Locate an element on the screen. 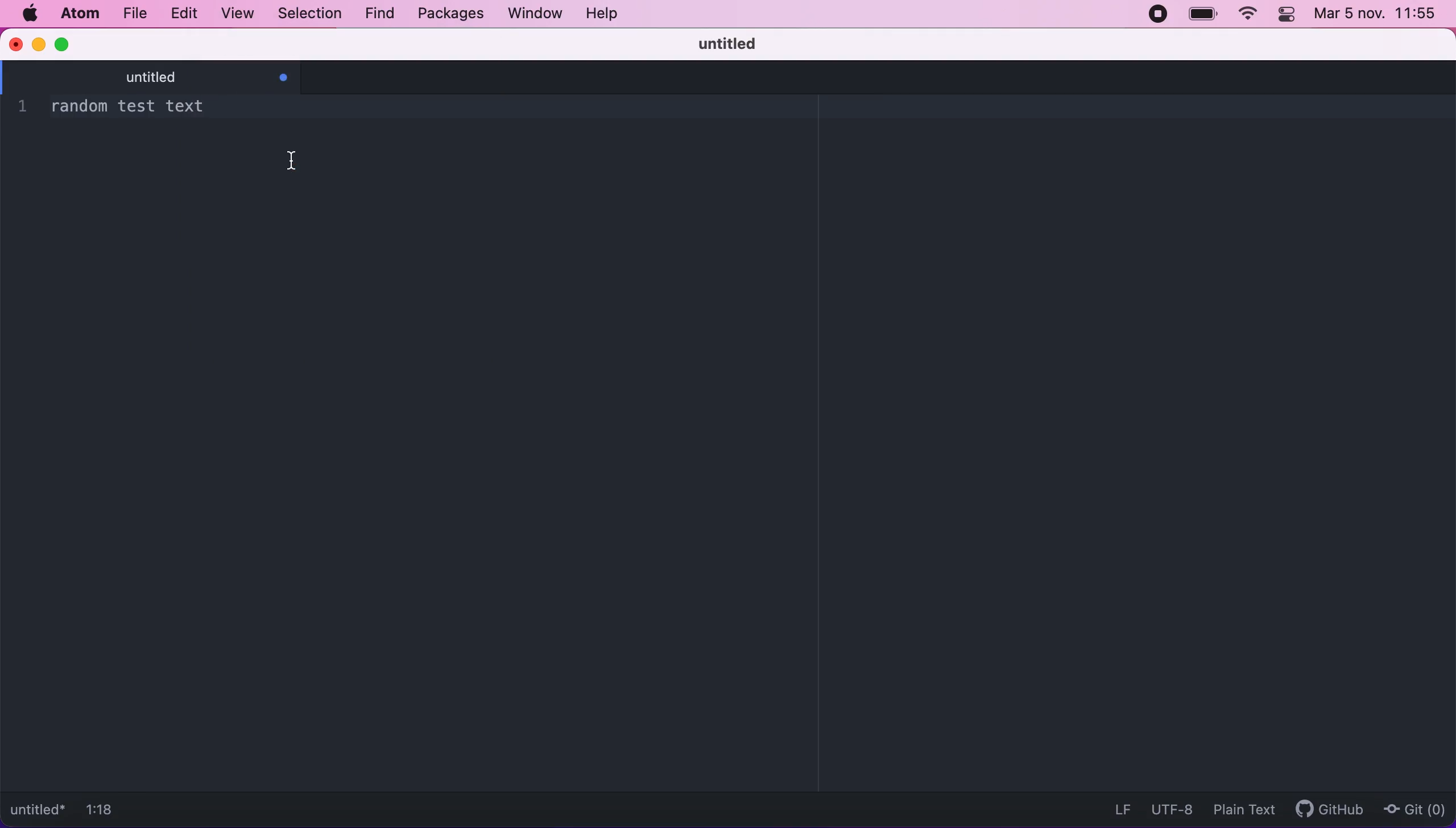 The height and width of the screenshot is (828, 1456). untitled* is located at coordinates (39, 808).